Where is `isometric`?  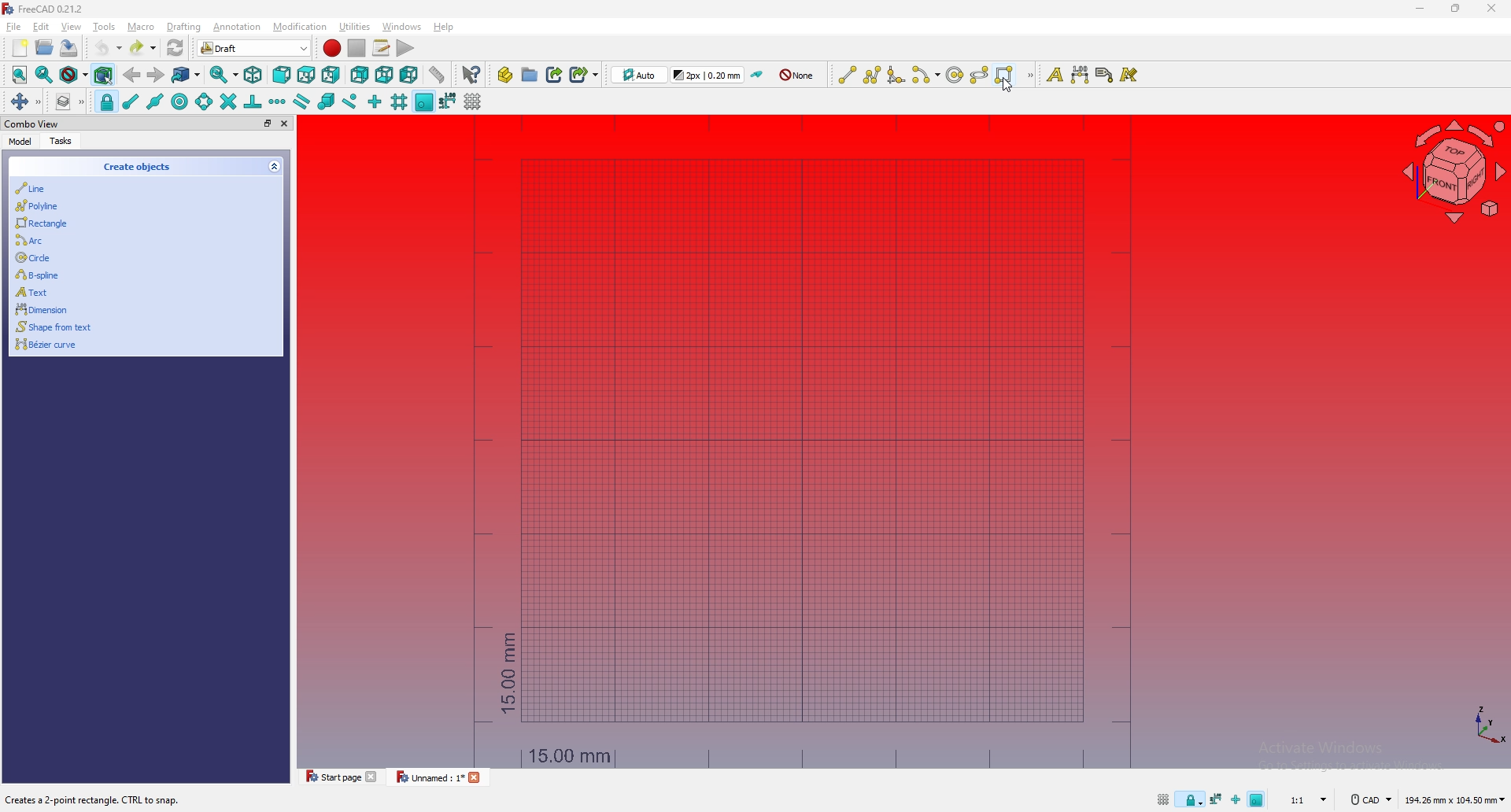 isometric is located at coordinates (253, 75).